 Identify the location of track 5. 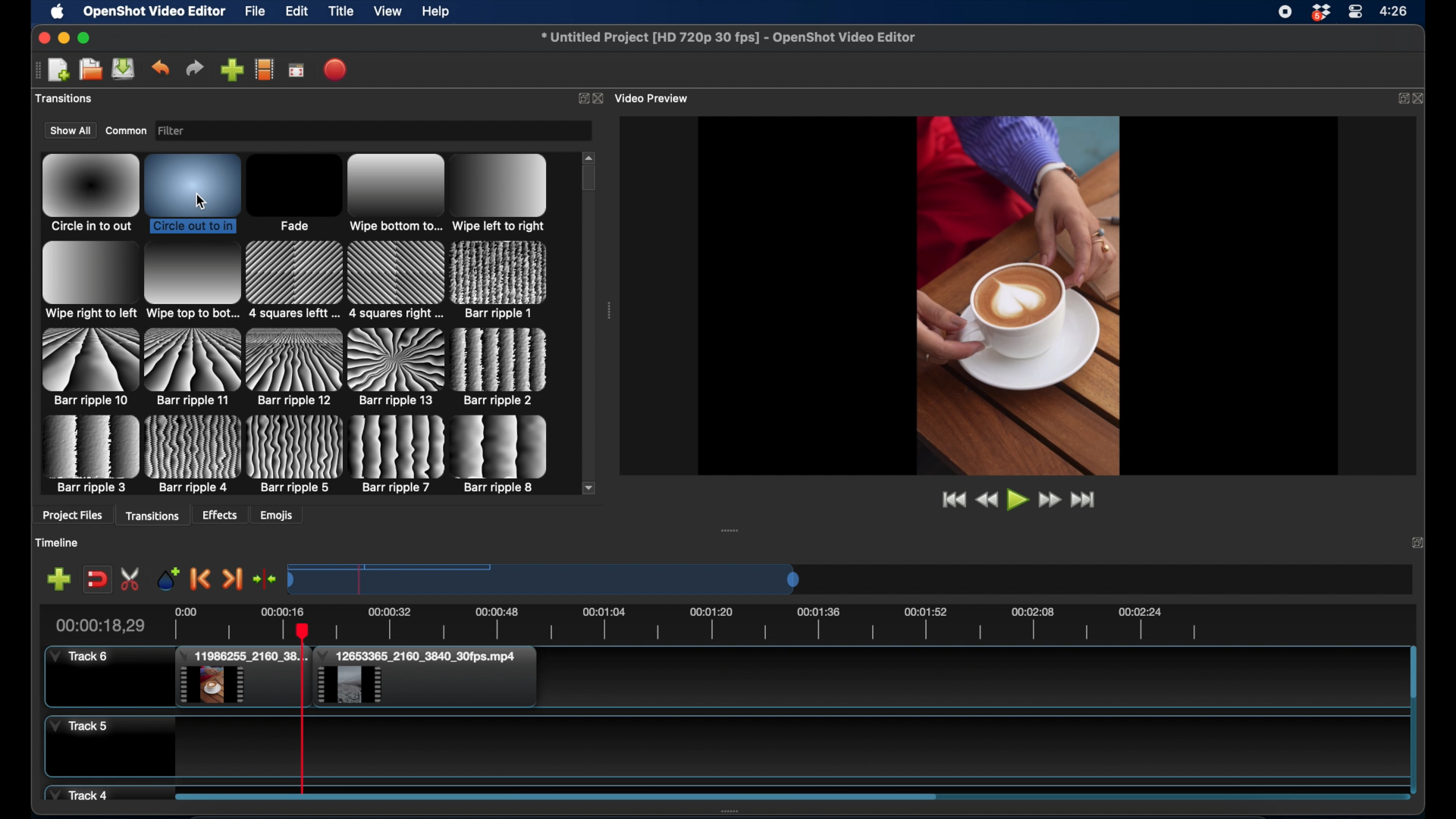
(79, 726).